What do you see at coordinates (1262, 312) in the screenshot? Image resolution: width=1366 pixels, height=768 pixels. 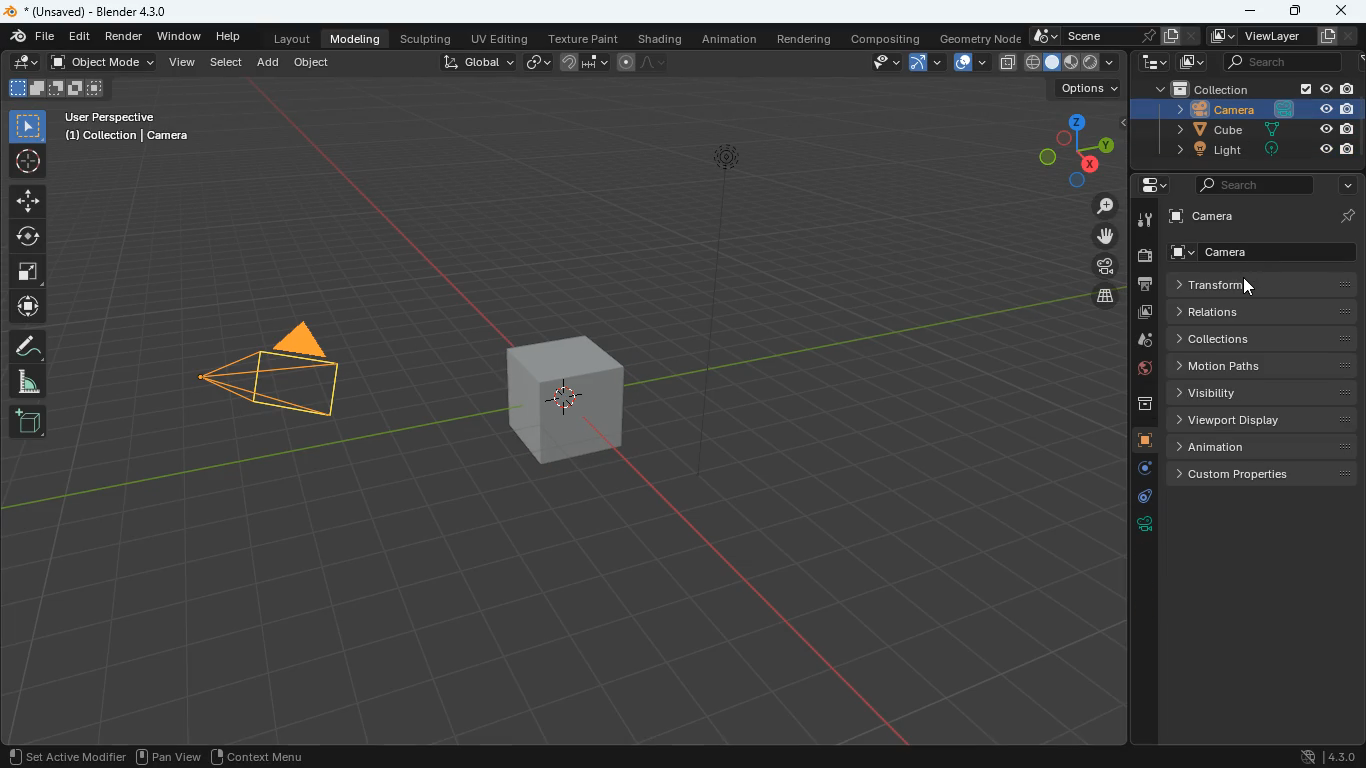 I see `relations` at bounding box center [1262, 312].